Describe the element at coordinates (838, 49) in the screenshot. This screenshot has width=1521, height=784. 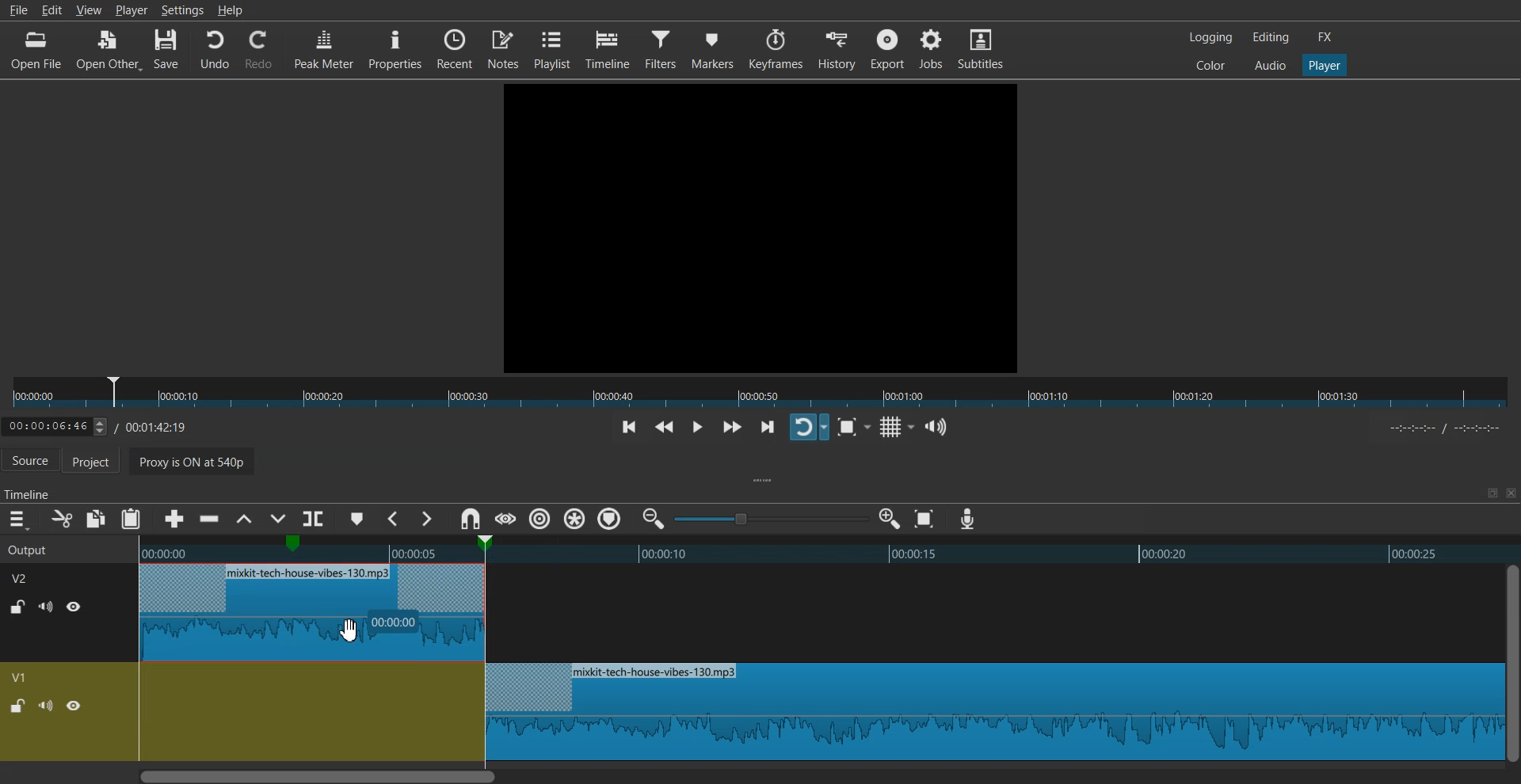
I see `History` at that location.